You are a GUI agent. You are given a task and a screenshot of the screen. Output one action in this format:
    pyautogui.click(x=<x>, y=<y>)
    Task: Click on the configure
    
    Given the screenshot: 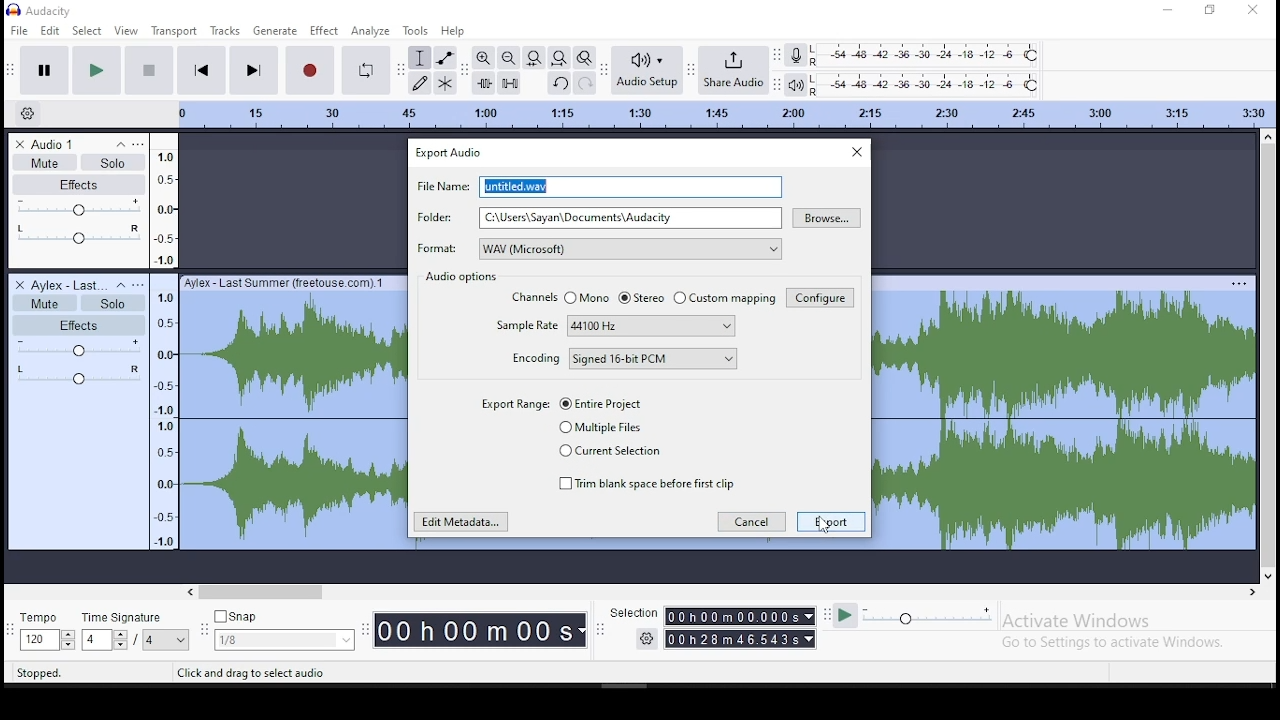 What is the action you would take?
    pyautogui.click(x=821, y=298)
    